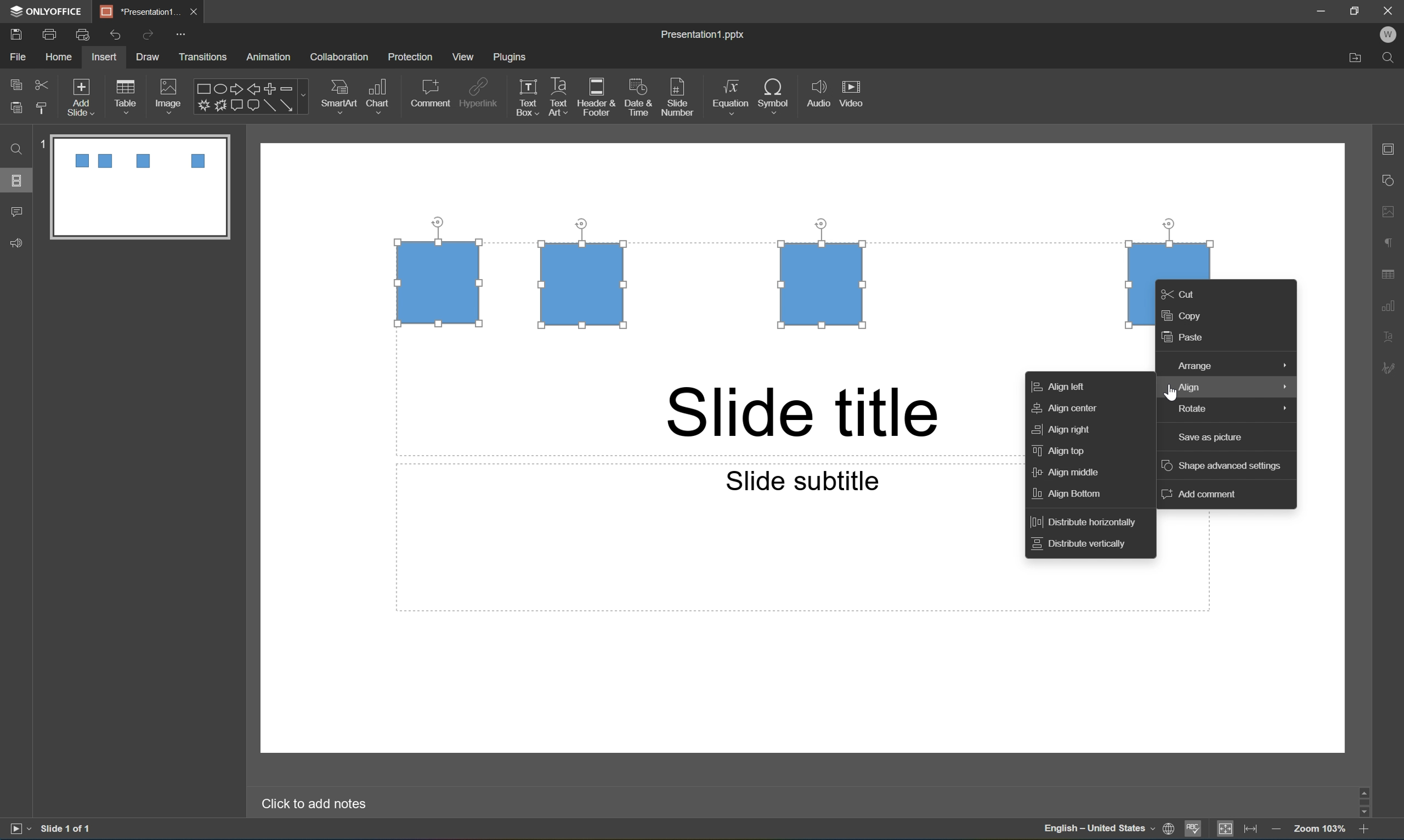 Image resolution: width=1404 pixels, height=840 pixels. What do you see at coordinates (1226, 830) in the screenshot?
I see `fit too slide` at bounding box center [1226, 830].